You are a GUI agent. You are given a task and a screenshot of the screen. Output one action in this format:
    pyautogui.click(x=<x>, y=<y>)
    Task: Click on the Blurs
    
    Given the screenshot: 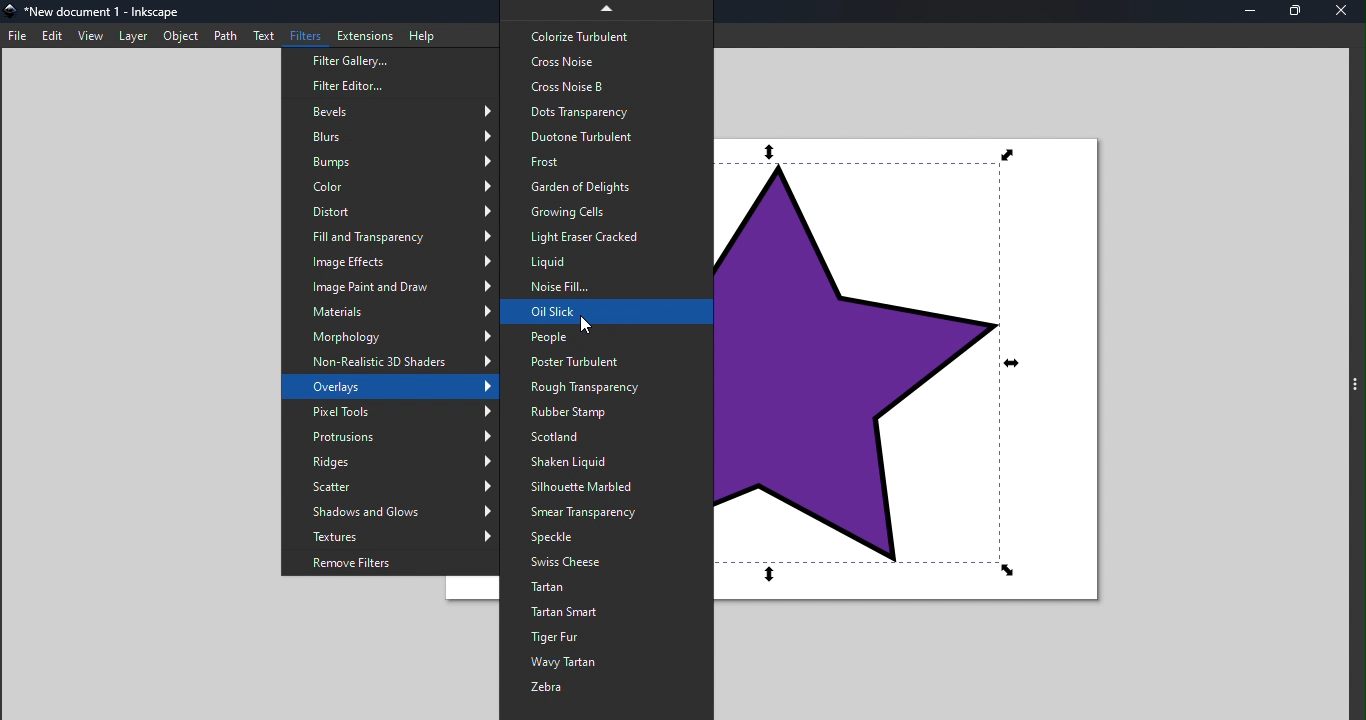 What is the action you would take?
    pyautogui.click(x=388, y=133)
    